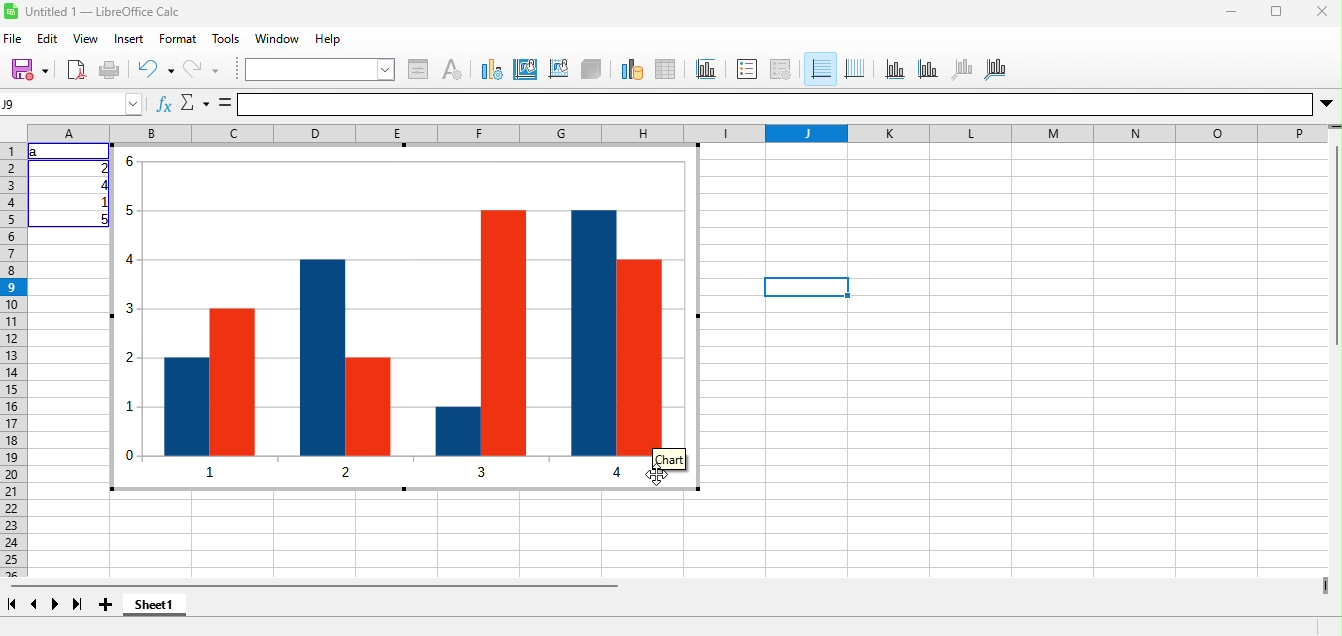  Describe the element at coordinates (11, 11) in the screenshot. I see `Software logo` at that location.